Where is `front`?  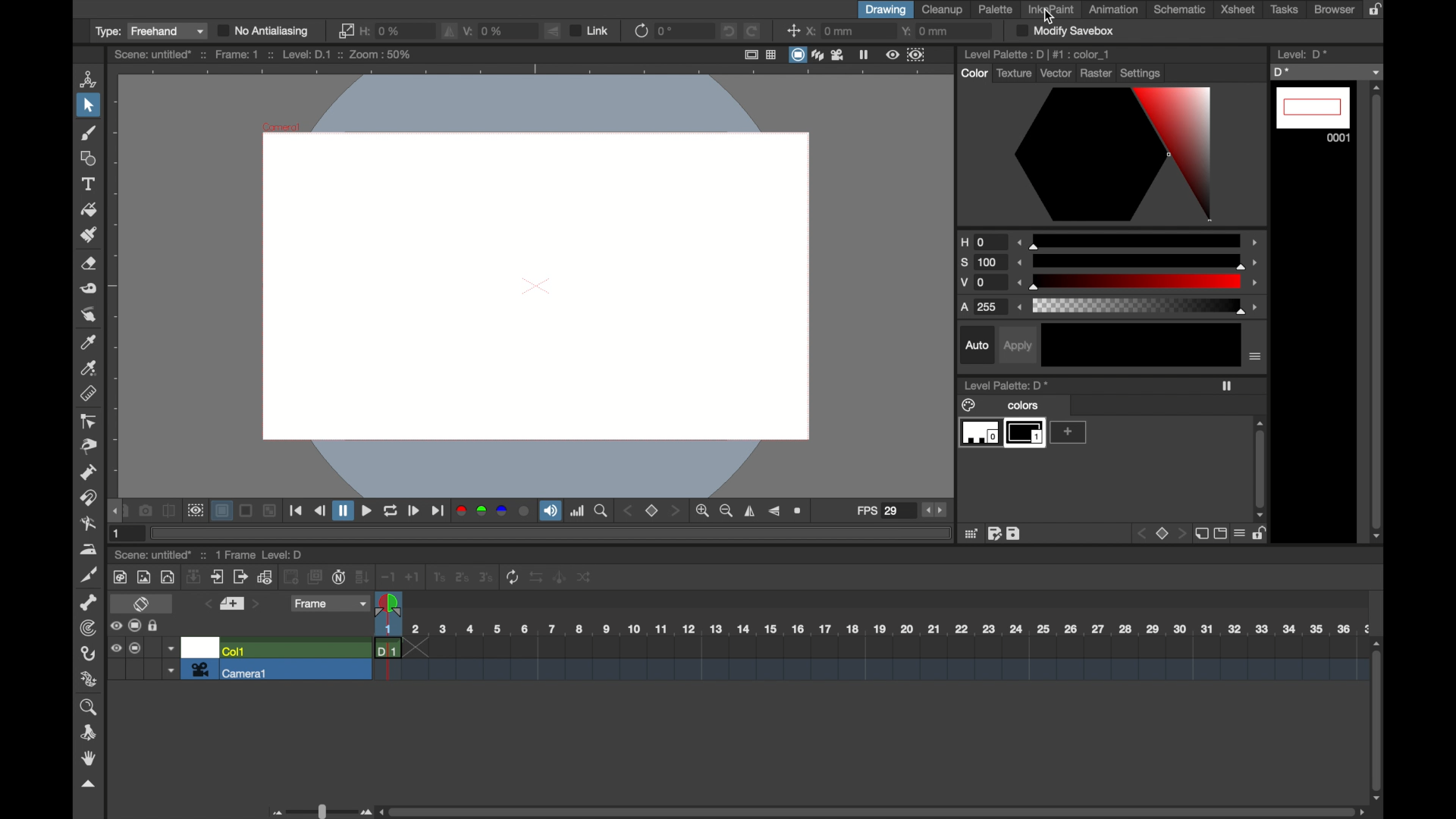
front is located at coordinates (1182, 534).